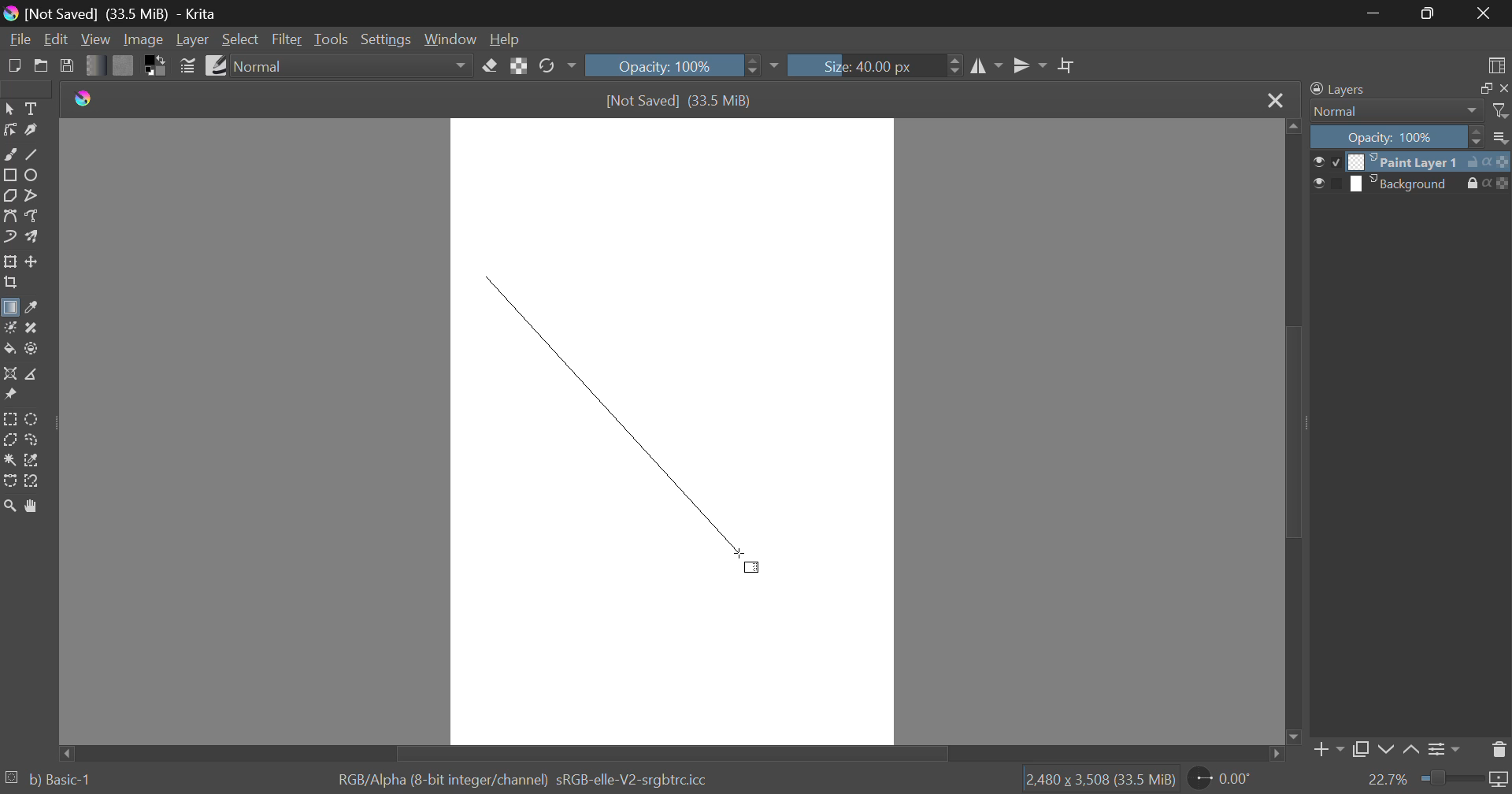  Describe the element at coordinates (1442, 749) in the screenshot. I see `Layer Settings` at that location.